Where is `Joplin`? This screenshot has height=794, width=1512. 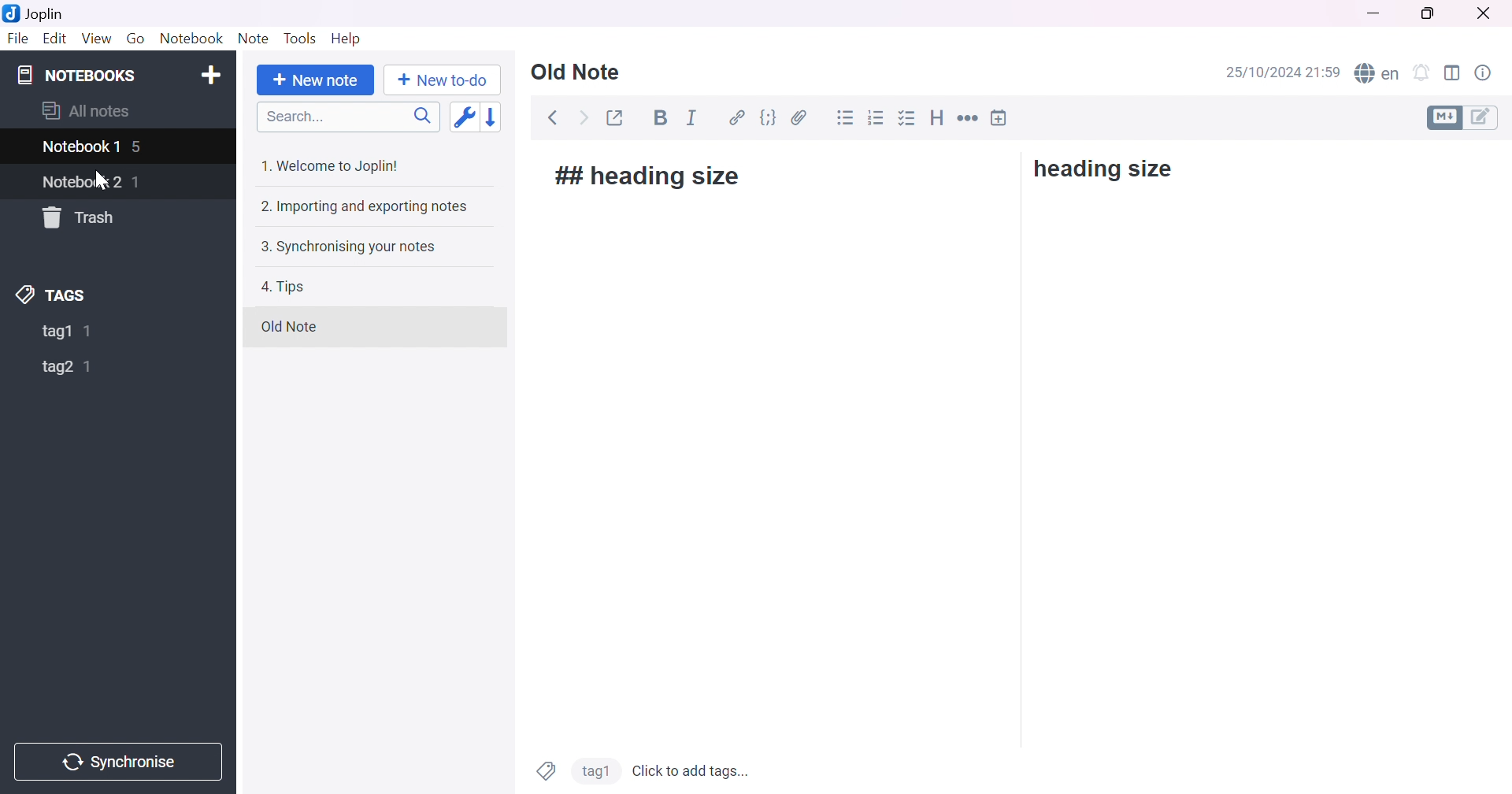
Joplin is located at coordinates (36, 13).